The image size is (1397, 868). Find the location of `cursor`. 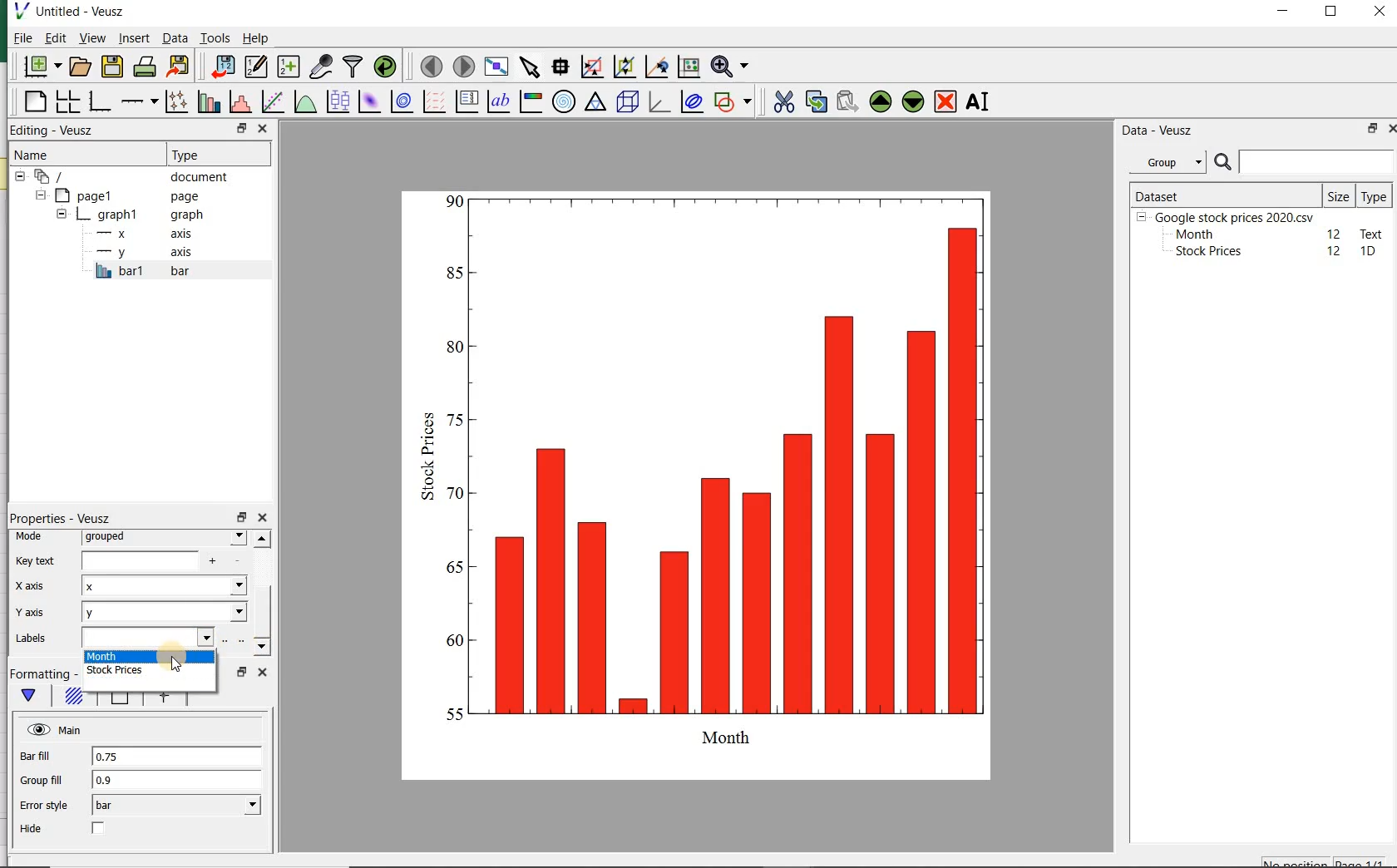

cursor is located at coordinates (172, 666).